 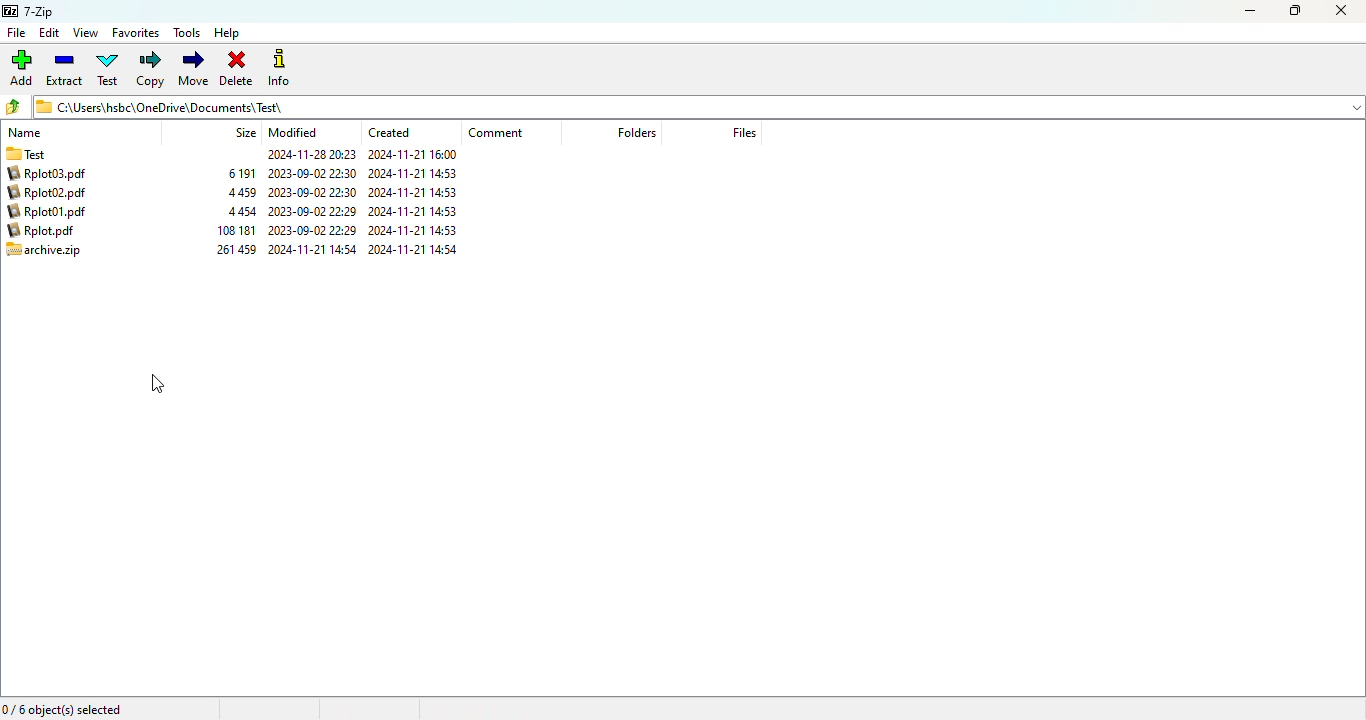 What do you see at coordinates (50, 249) in the screenshot?
I see `Rplot.pdf 108181 2023-09-02 22:29 2024-11-21 14:53` at bounding box center [50, 249].